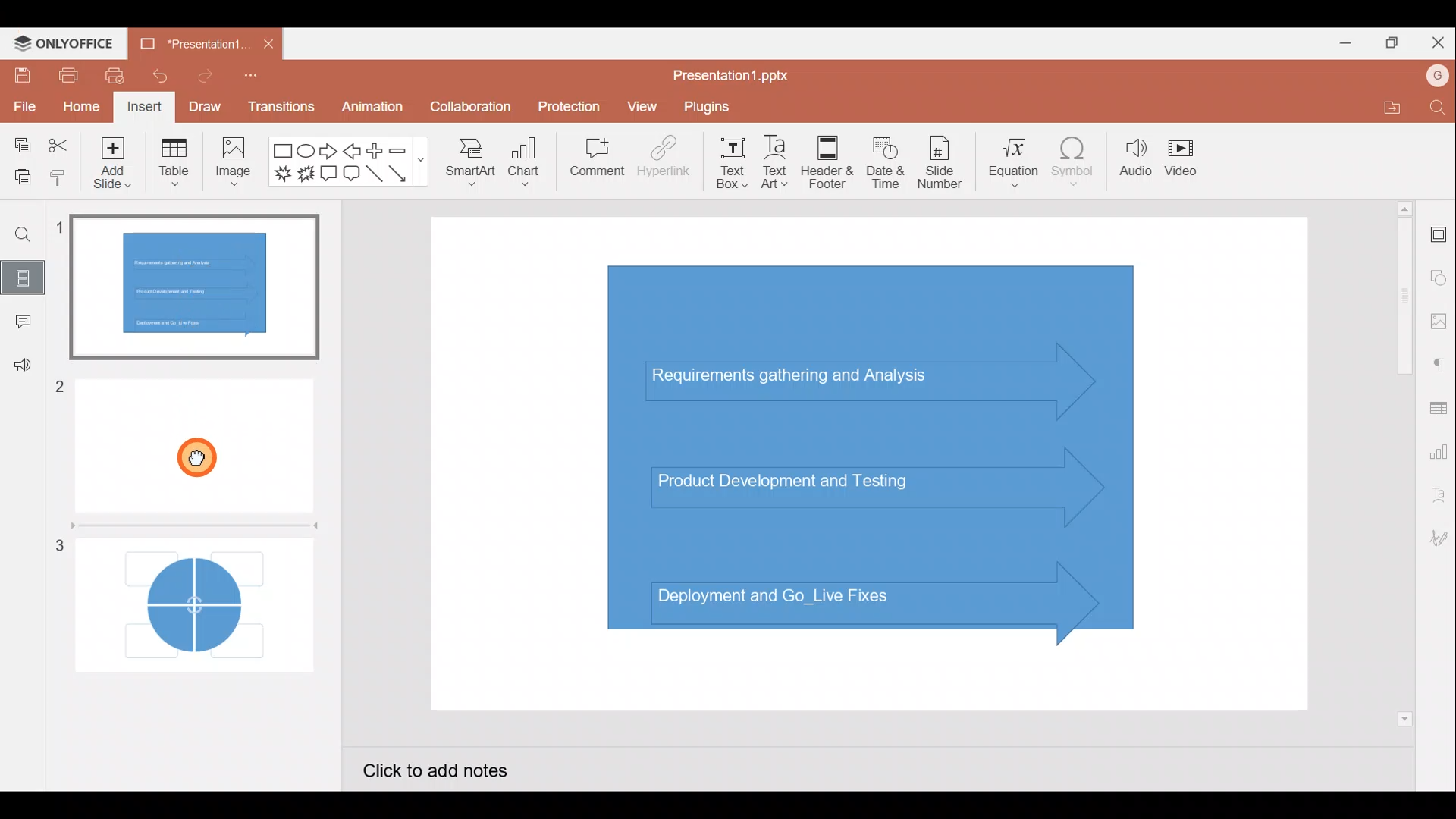 Image resolution: width=1456 pixels, height=819 pixels. I want to click on Paste, so click(20, 174).